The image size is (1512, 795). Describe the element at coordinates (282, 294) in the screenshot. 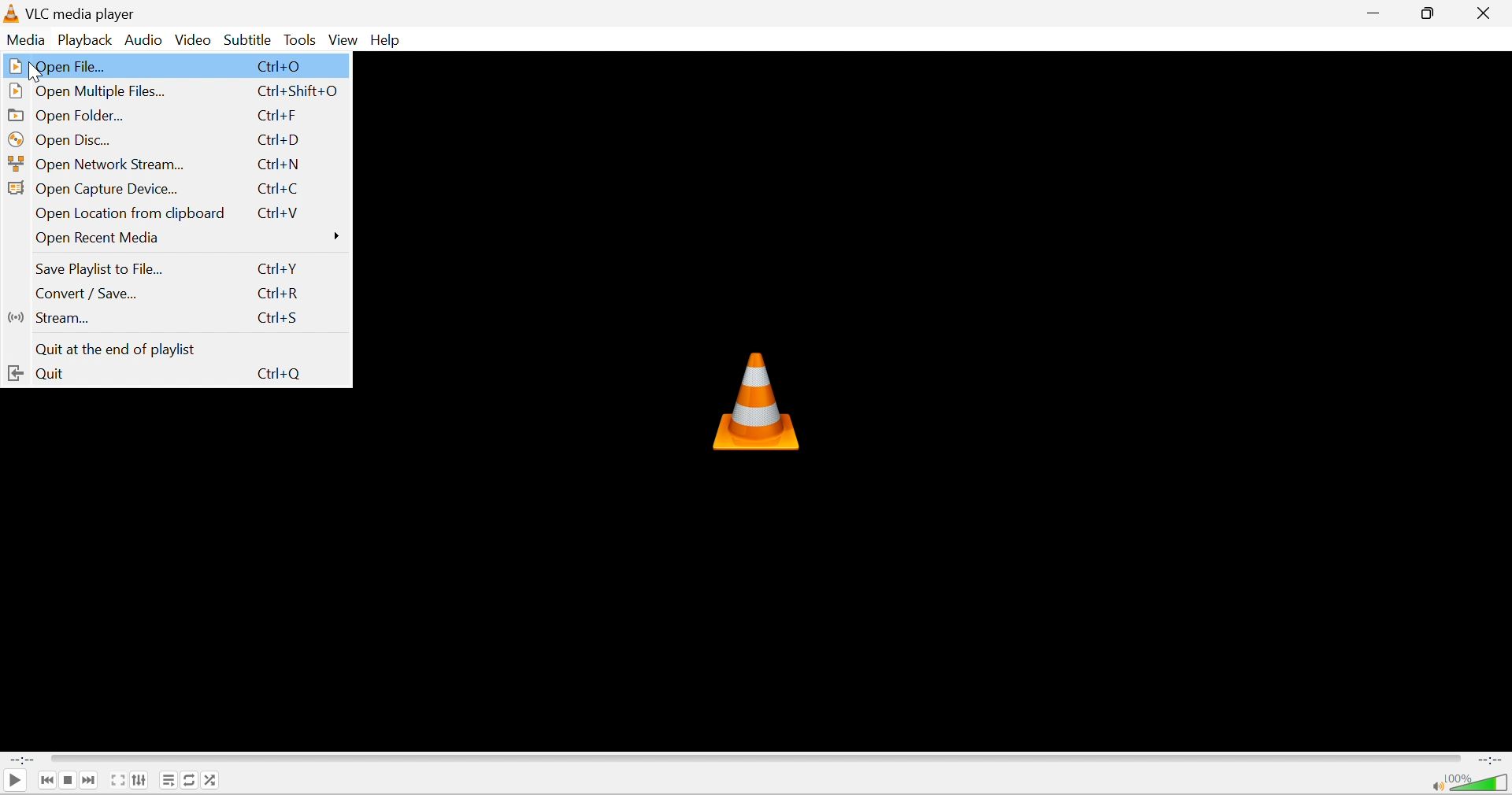

I see `Ctrl + R` at that location.